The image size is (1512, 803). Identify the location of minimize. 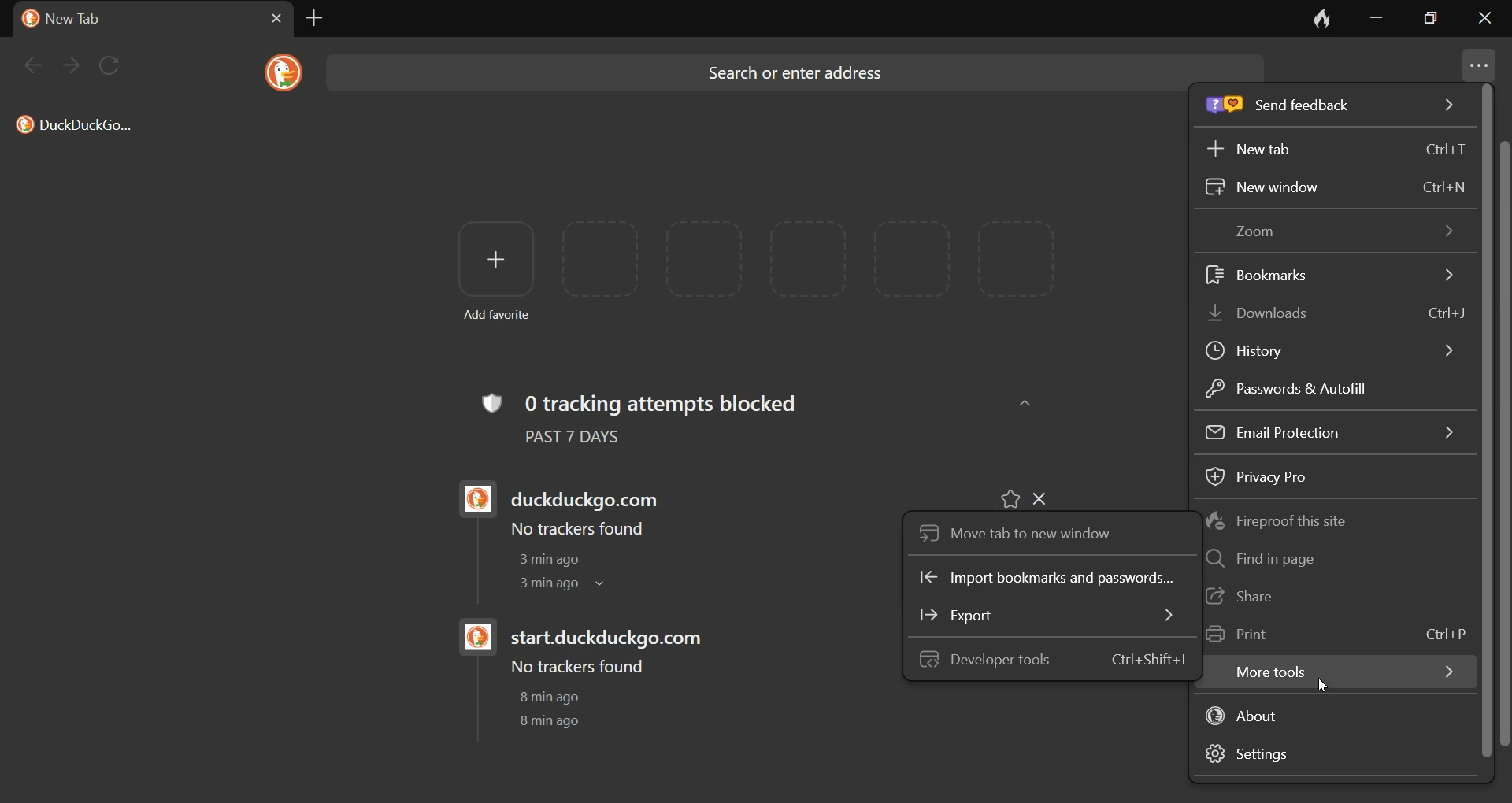
(1373, 20).